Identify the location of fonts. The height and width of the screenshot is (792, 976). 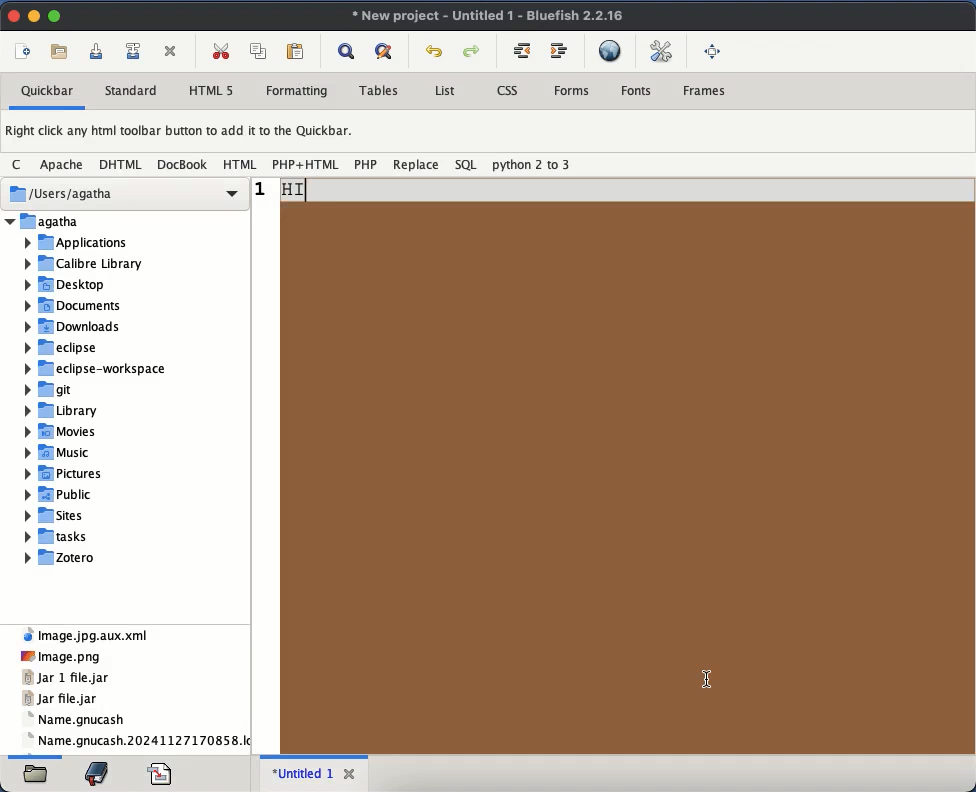
(639, 92).